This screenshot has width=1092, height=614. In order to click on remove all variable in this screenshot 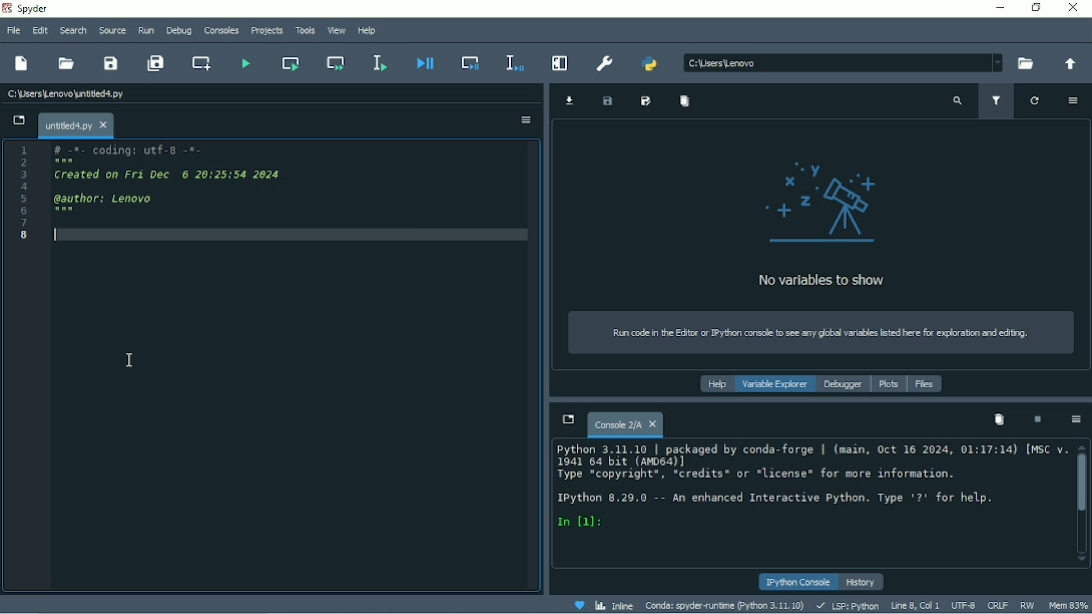, I will do `click(688, 104)`.